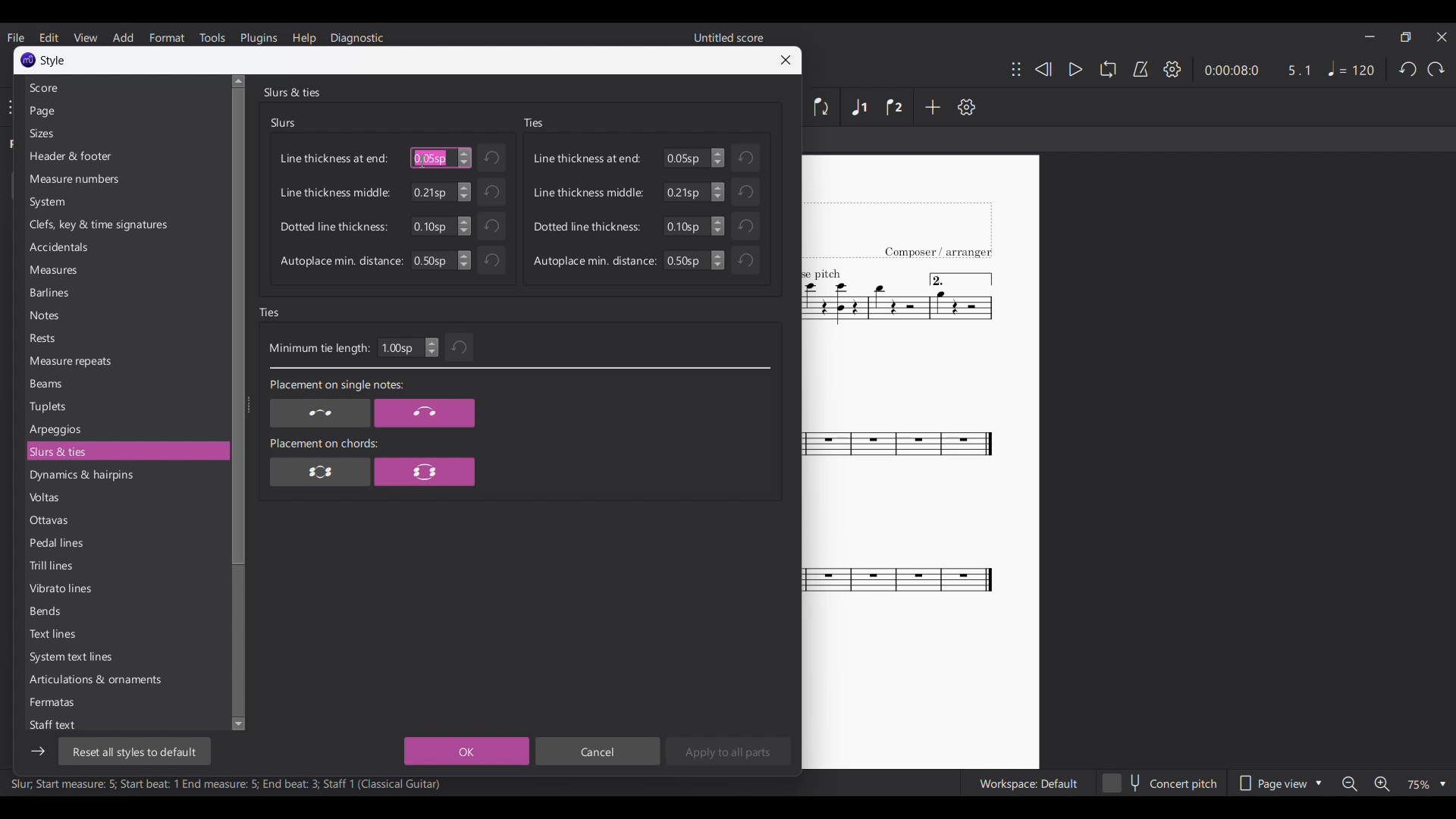 The height and width of the screenshot is (819, 1456). What do you see at coordinates (432, 192) in the screenshot?
I see `Manually input line thickness middle` at bounding box center [432, 192].